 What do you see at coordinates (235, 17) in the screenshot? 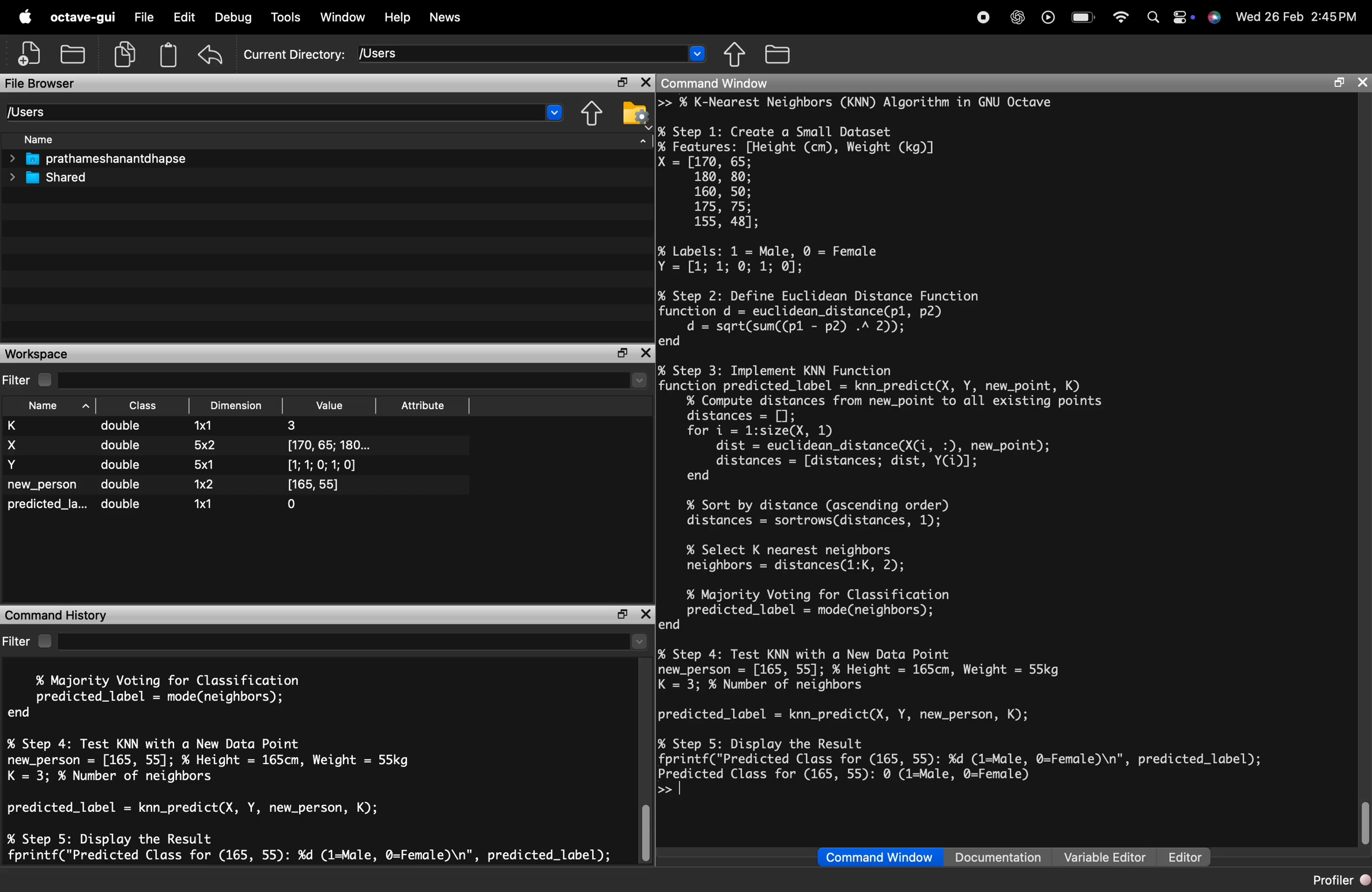
I see `Debug` at bounding box center [235, 17].